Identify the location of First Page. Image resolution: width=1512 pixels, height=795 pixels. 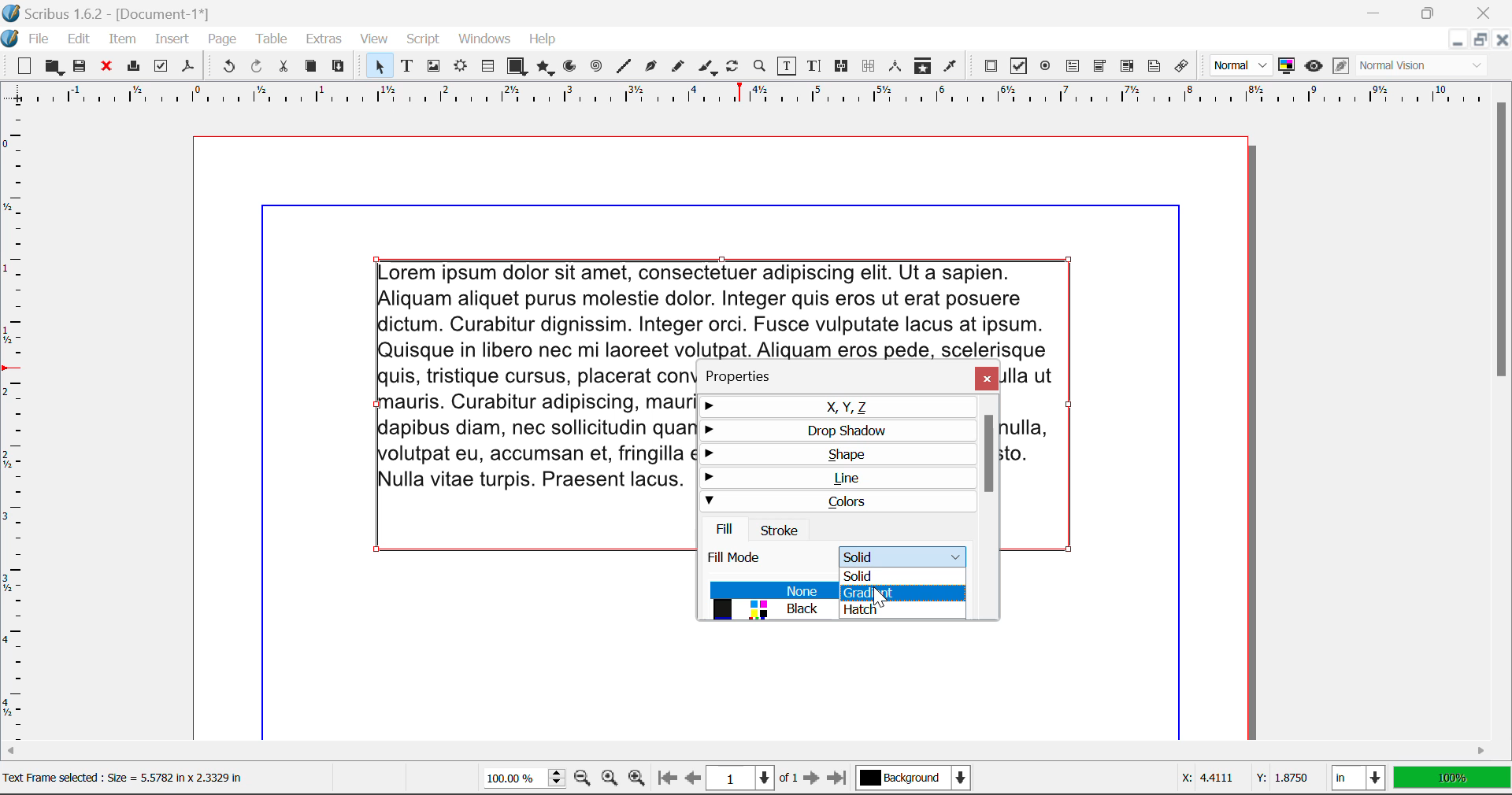
(665, 779).